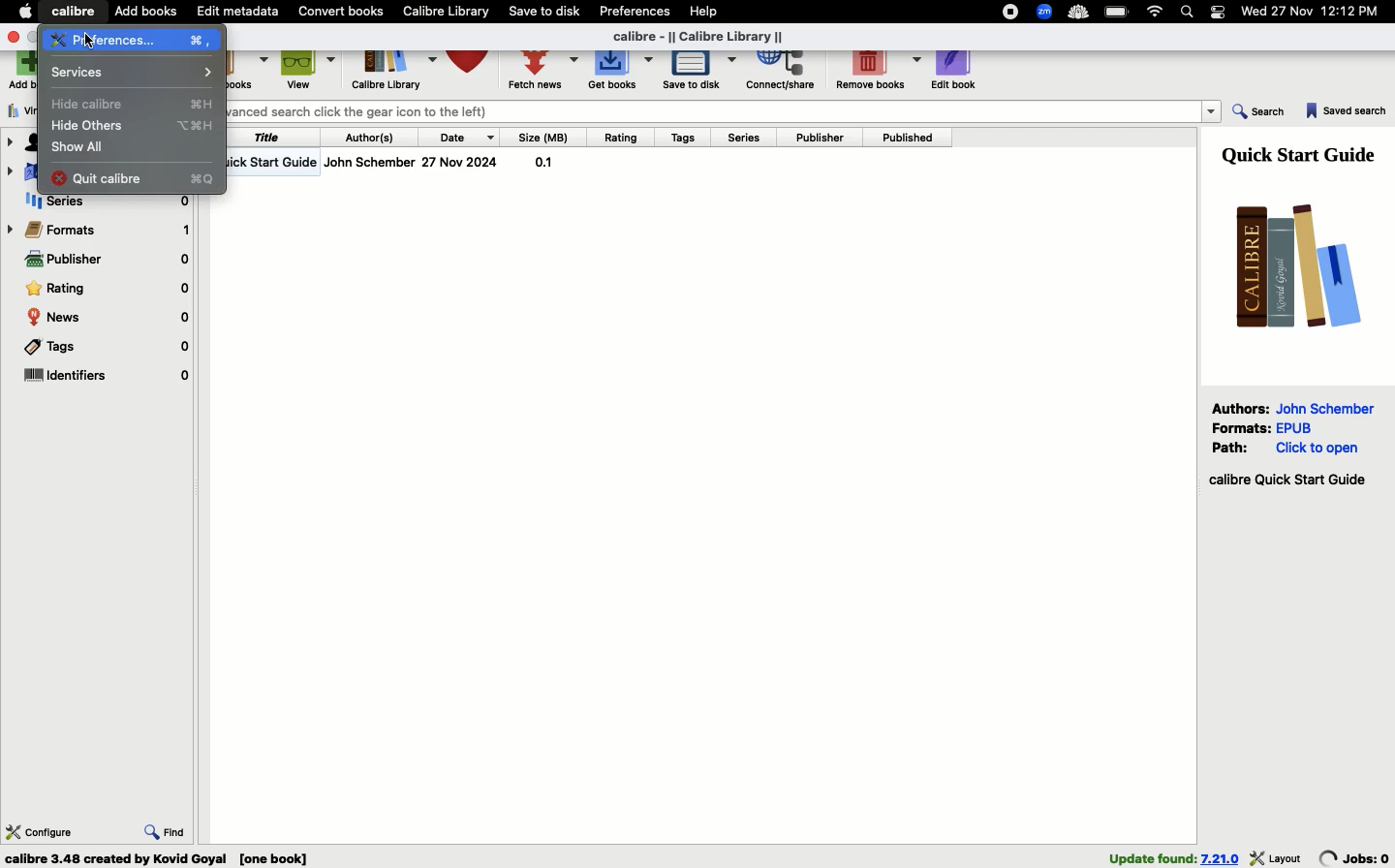 The image size is (1395, 868). Describe the element at coordinates (908, 139) in the screenshot. I see `Published` at that location.